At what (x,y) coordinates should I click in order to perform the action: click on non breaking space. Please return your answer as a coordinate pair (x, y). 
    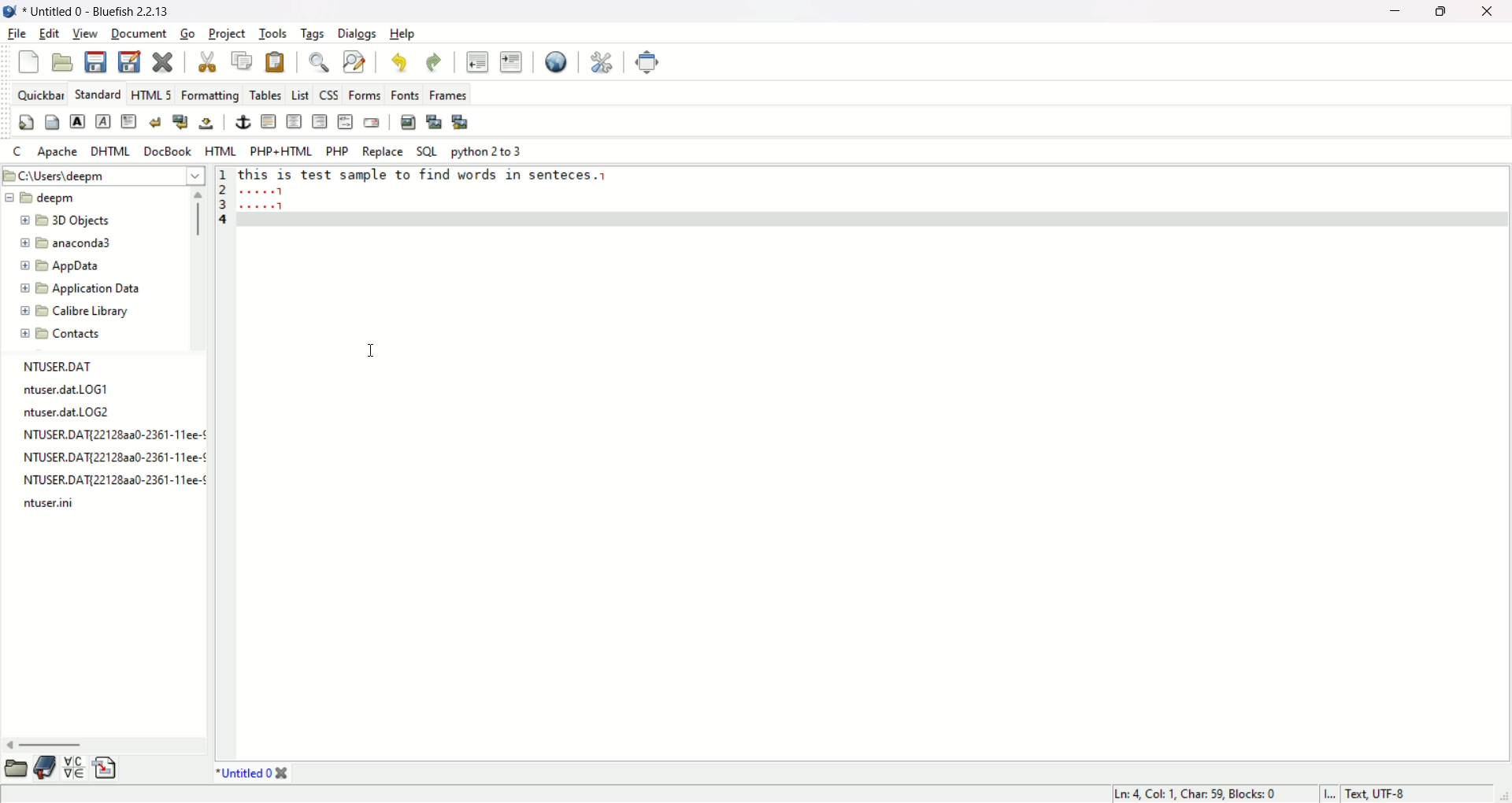
    Looking at the image, I should click on (206, 124).